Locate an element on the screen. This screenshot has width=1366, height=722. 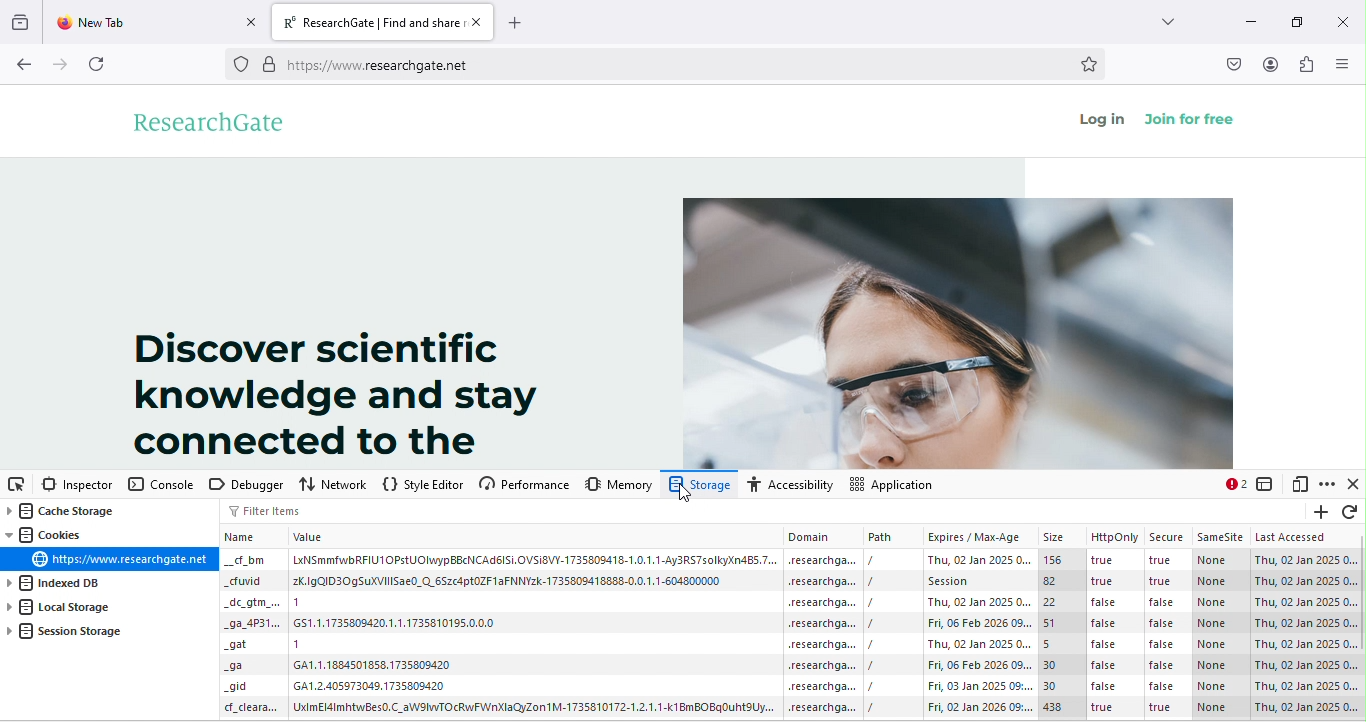
none is located at coordinates (1213, 582).